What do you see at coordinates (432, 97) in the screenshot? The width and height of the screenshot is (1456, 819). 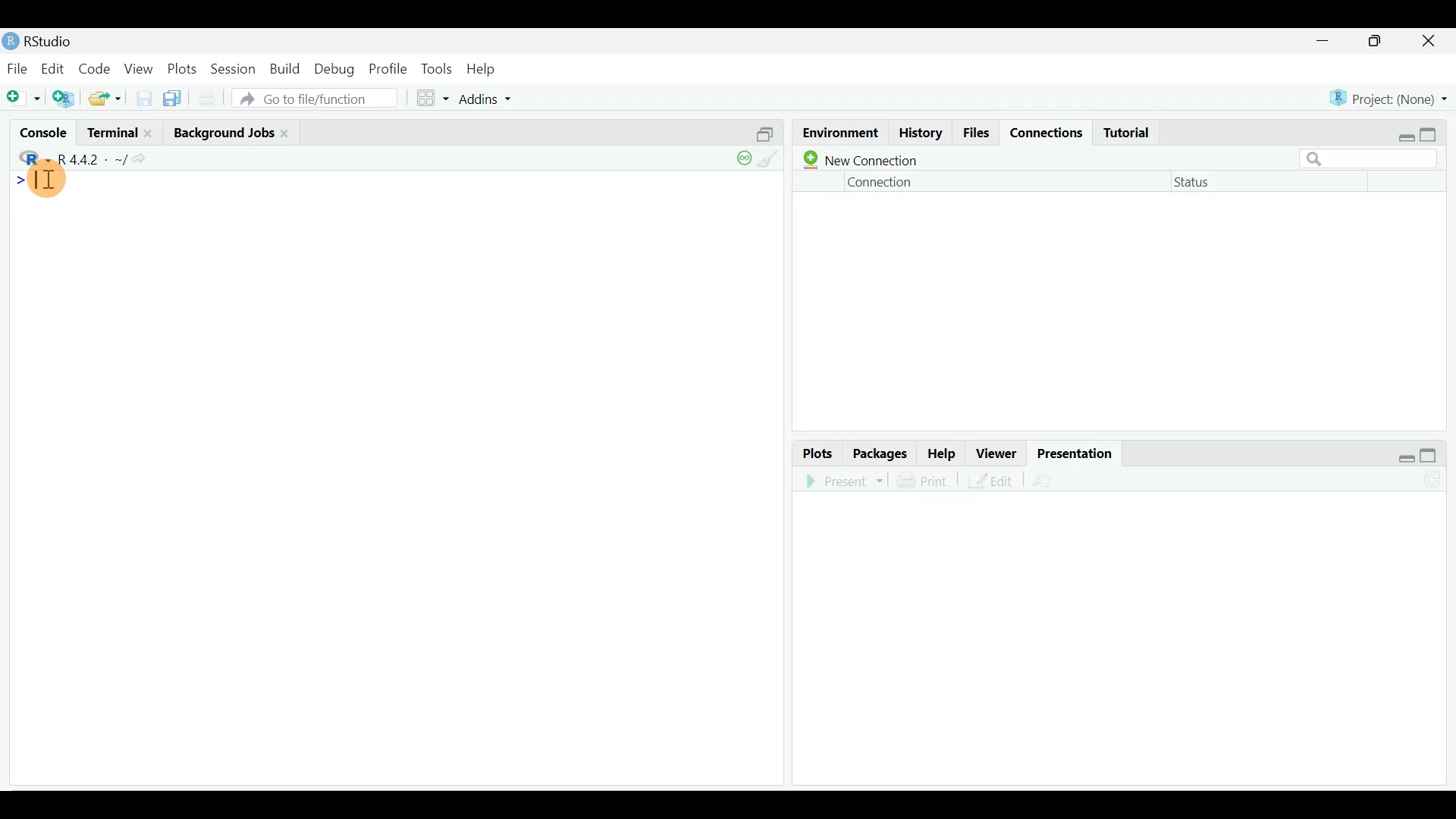 I see `Workspace panes` at bounding box center [432, 97].